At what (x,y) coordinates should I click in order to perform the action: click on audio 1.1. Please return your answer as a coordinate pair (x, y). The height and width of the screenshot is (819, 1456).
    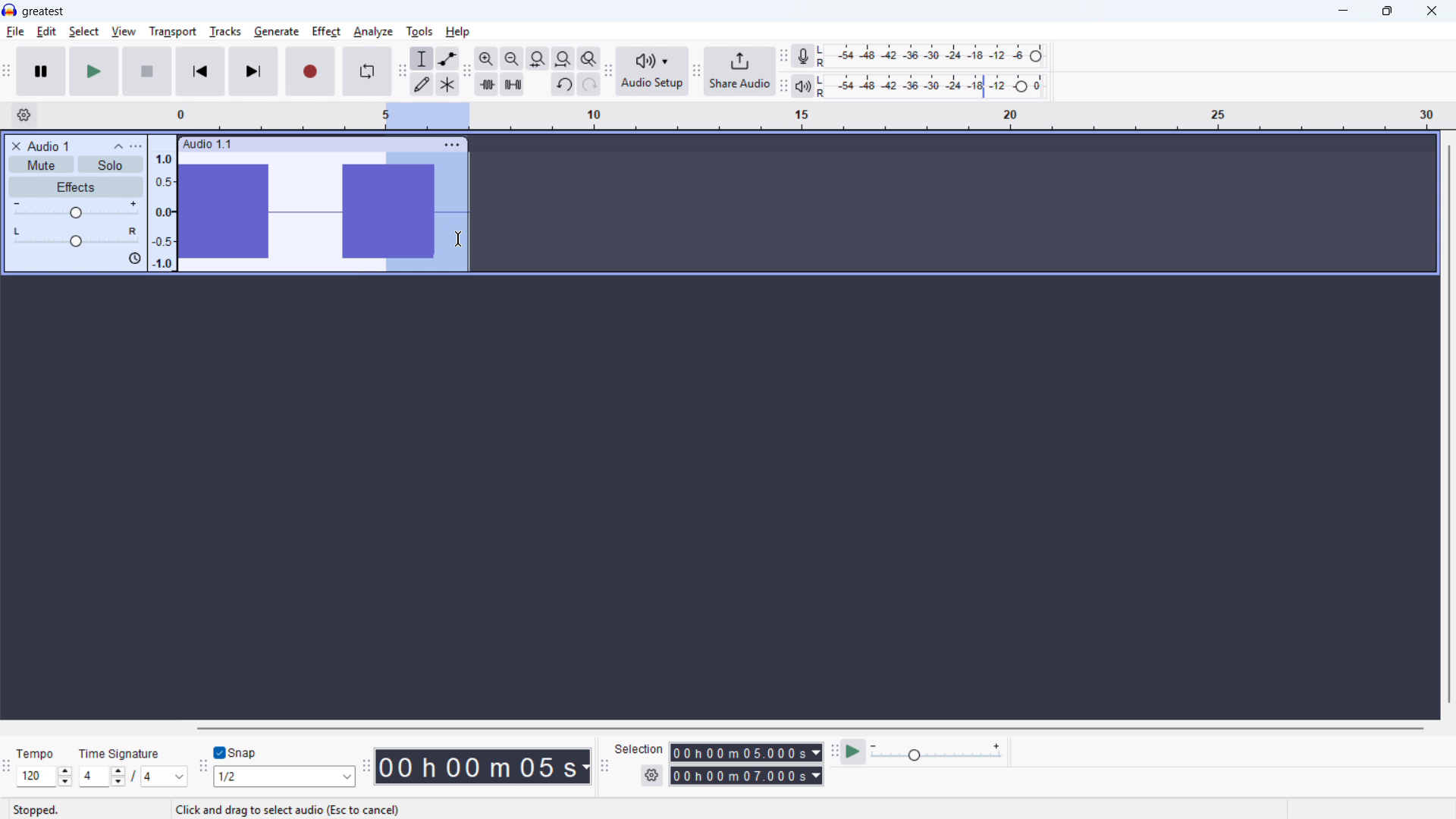
    Looking at the image, I should click on (207, 143).